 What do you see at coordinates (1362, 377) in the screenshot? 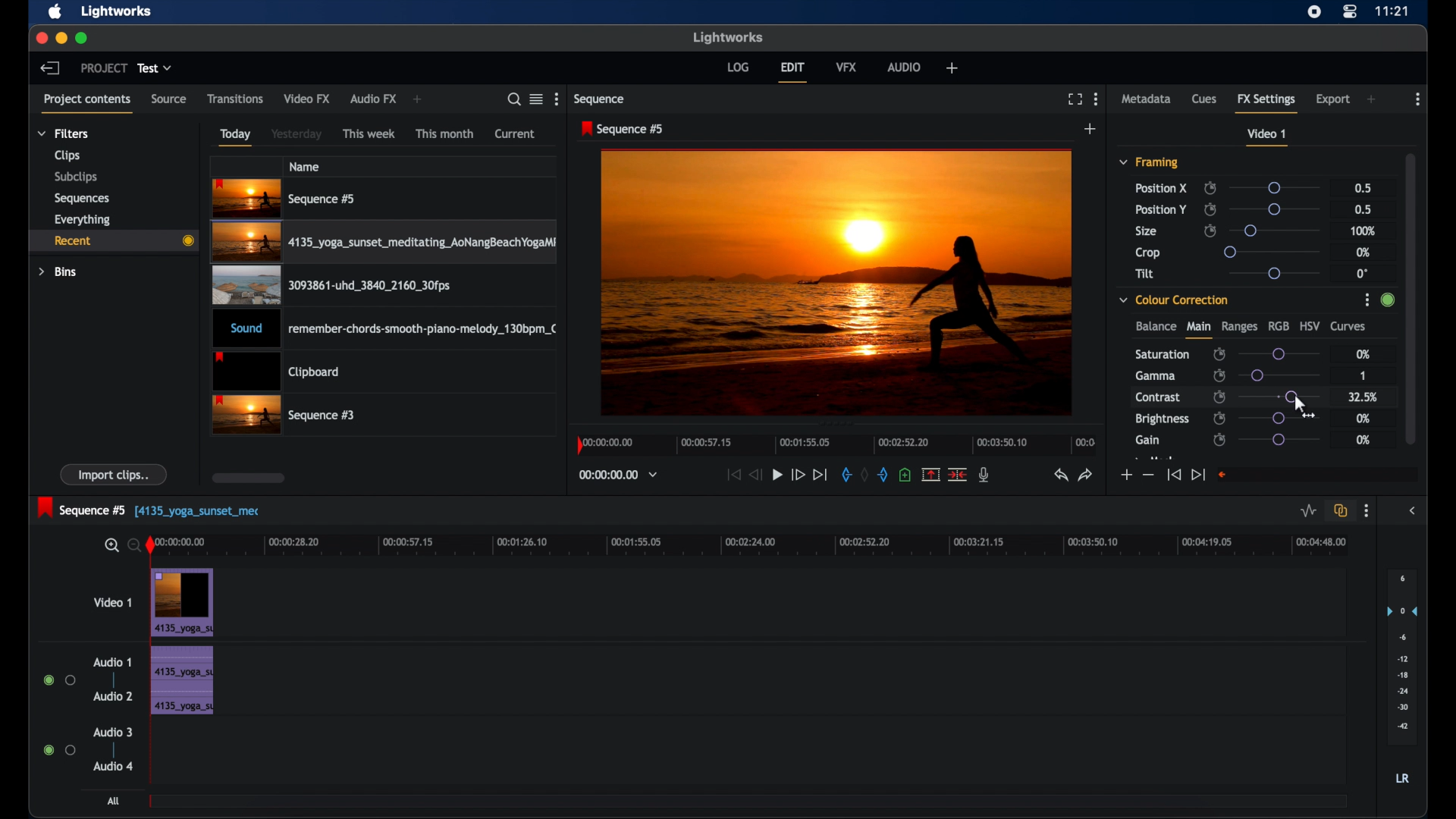
I see `1` at bounding box center [1362, 377].